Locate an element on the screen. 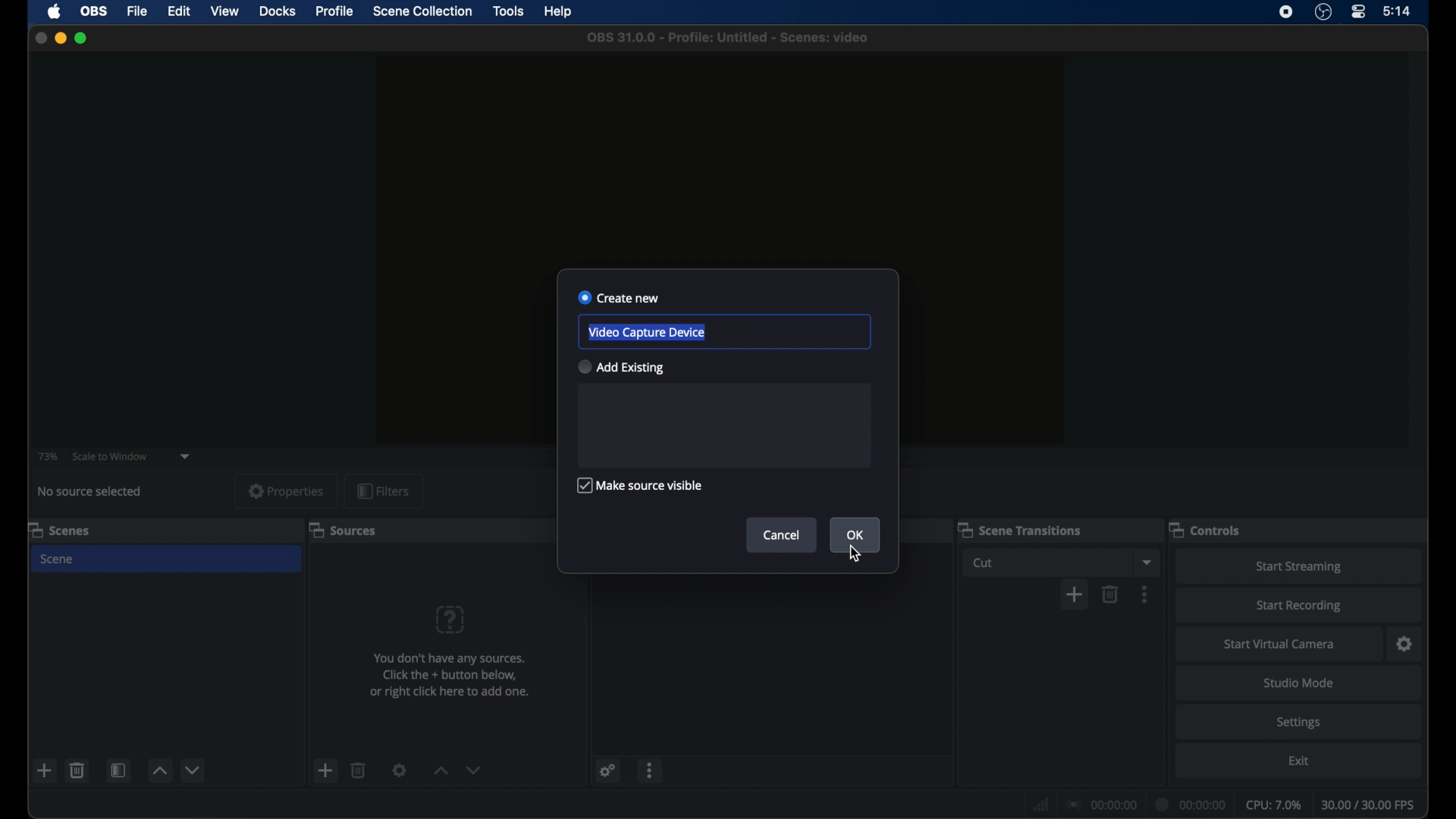  scene is located at coordinates (58, 560).